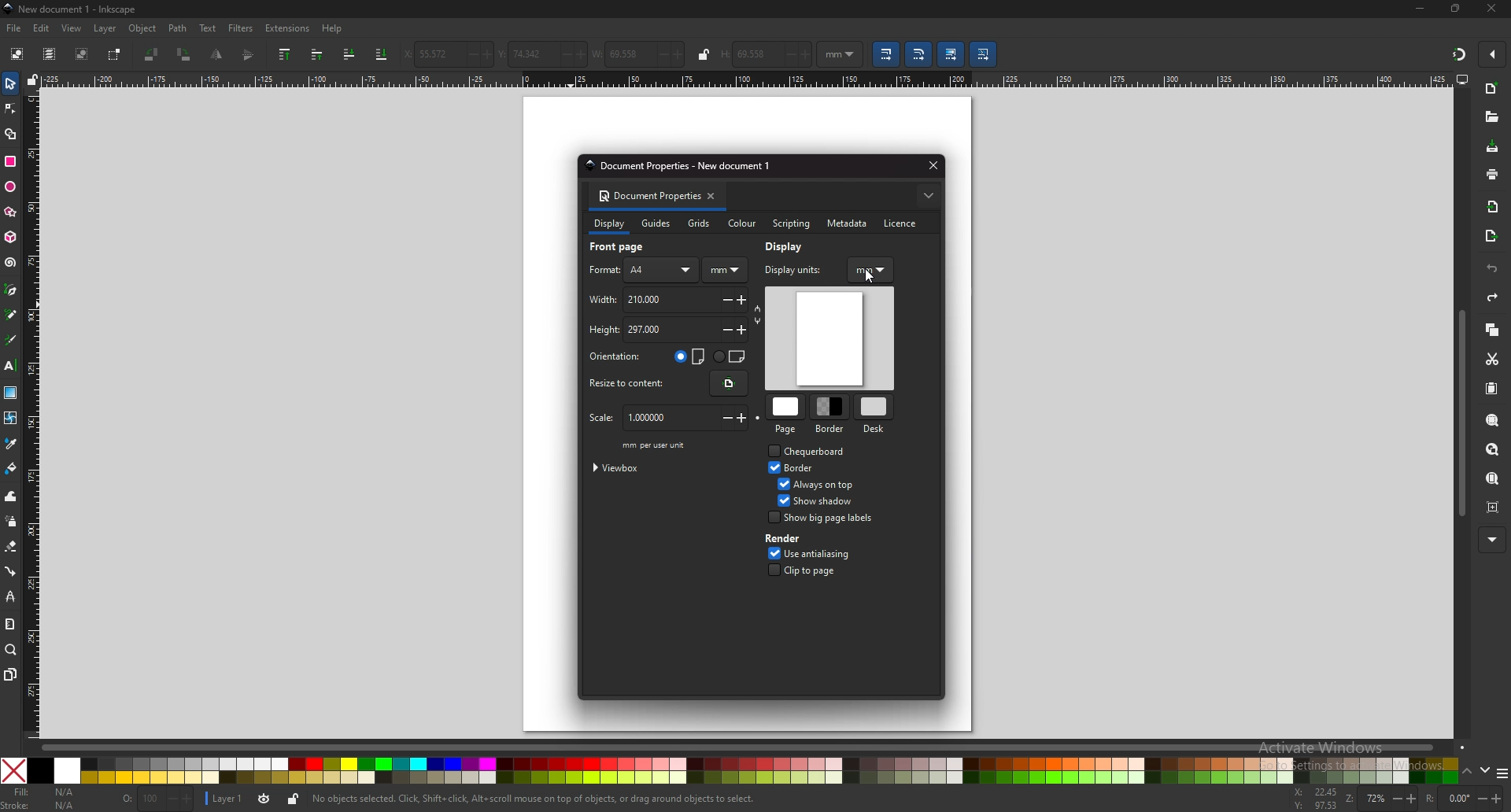  I want to click on Cursor, so click(870, 277).